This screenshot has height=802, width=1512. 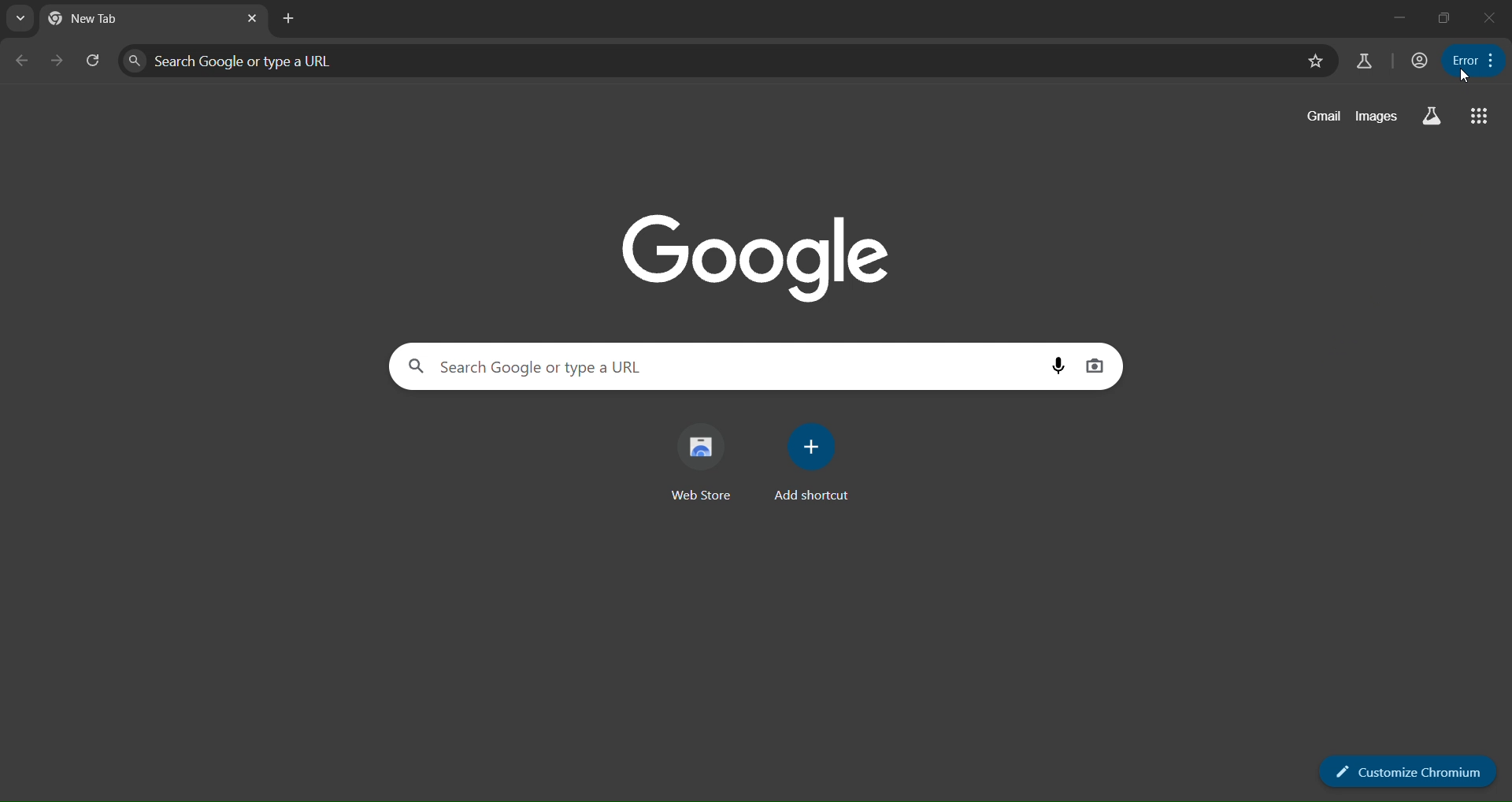 What do you see at coordinates (759, 252) in the screenshot?
I see `image` at bounding box center [759, 252].